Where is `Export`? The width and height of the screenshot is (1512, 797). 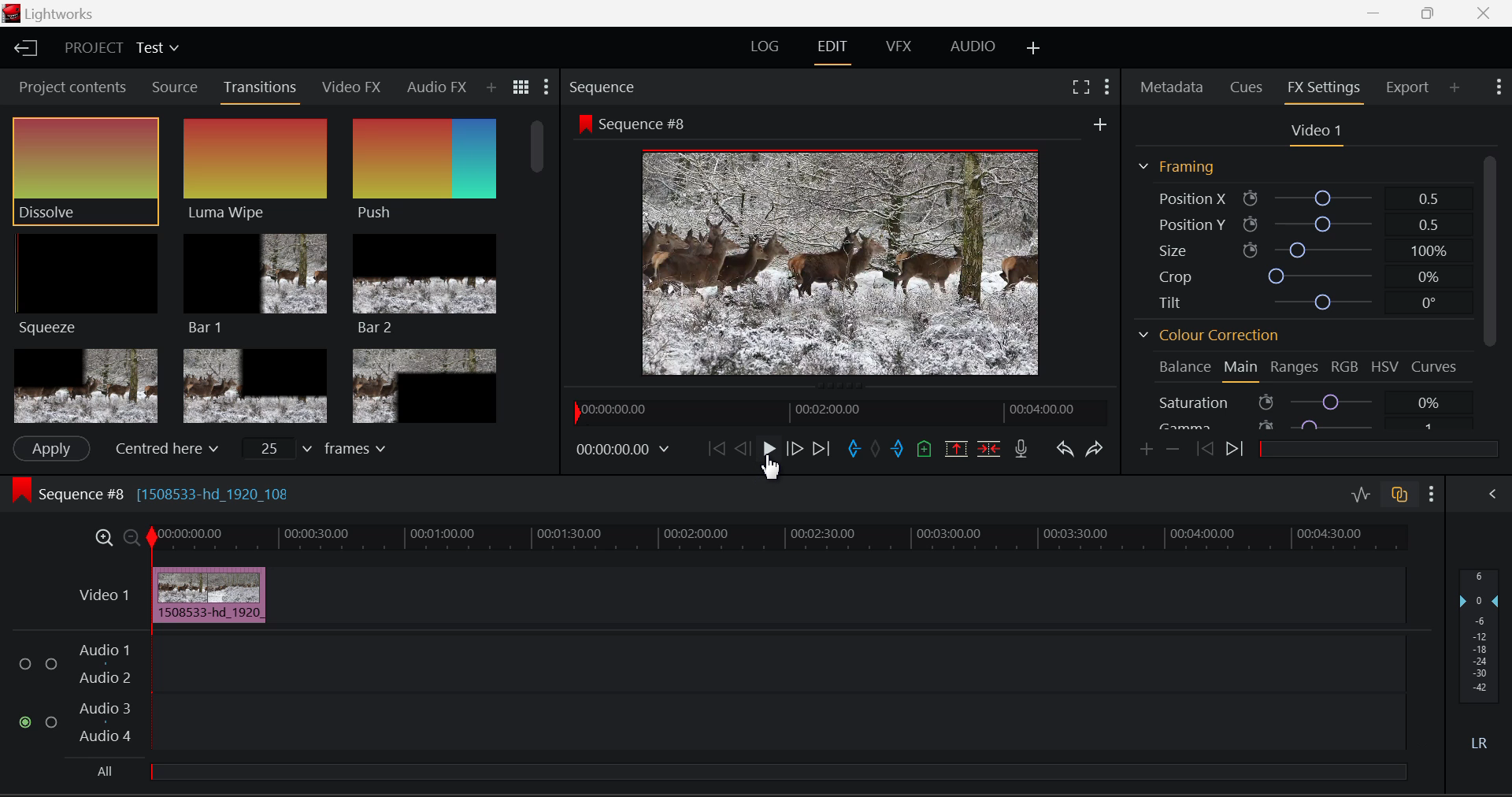
Export is located at coordinates (1411, 87).